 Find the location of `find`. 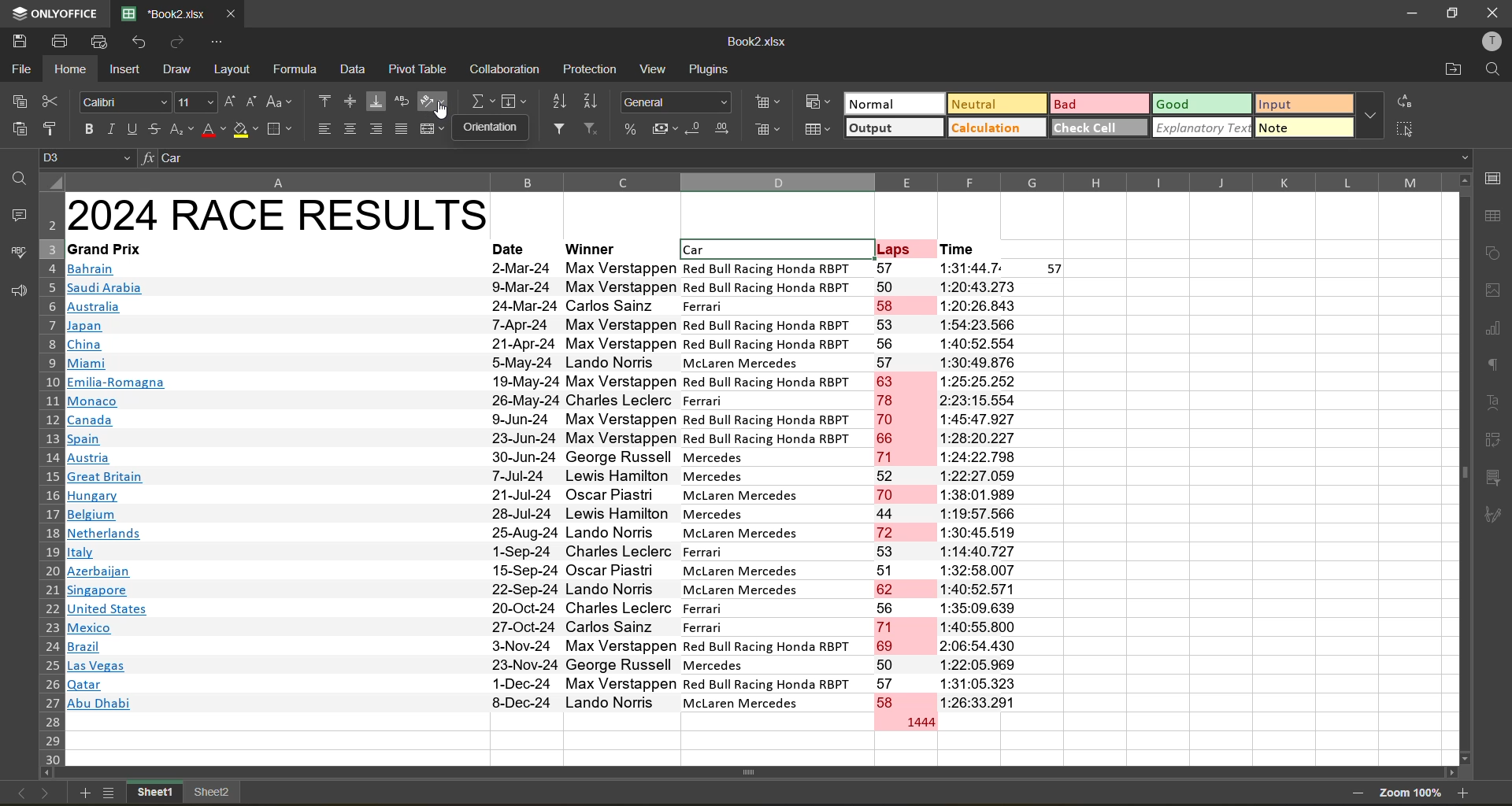

find is located at coordinates (16, 178).